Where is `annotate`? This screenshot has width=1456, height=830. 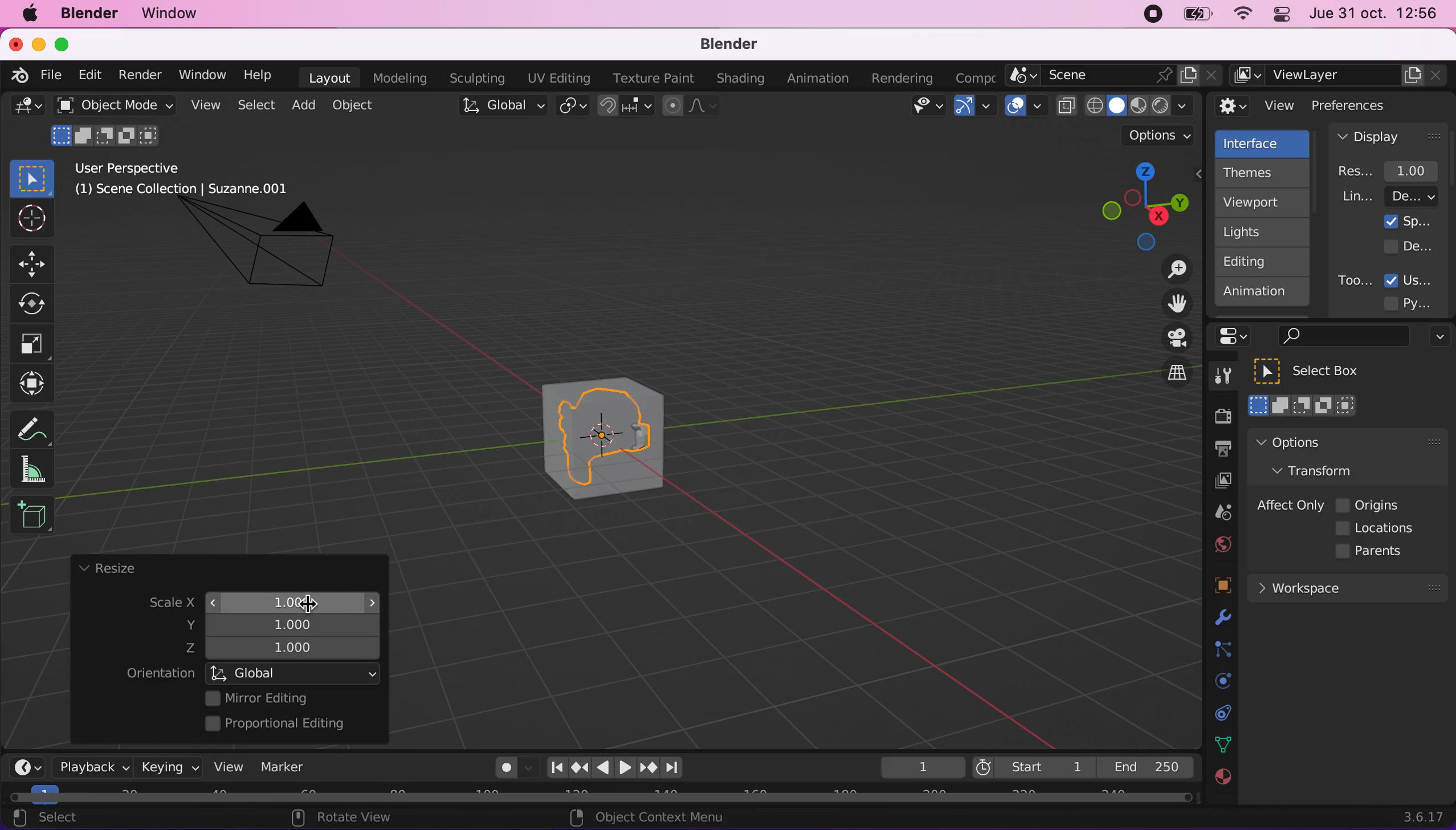
annotate is located at coordinates (37, 426).